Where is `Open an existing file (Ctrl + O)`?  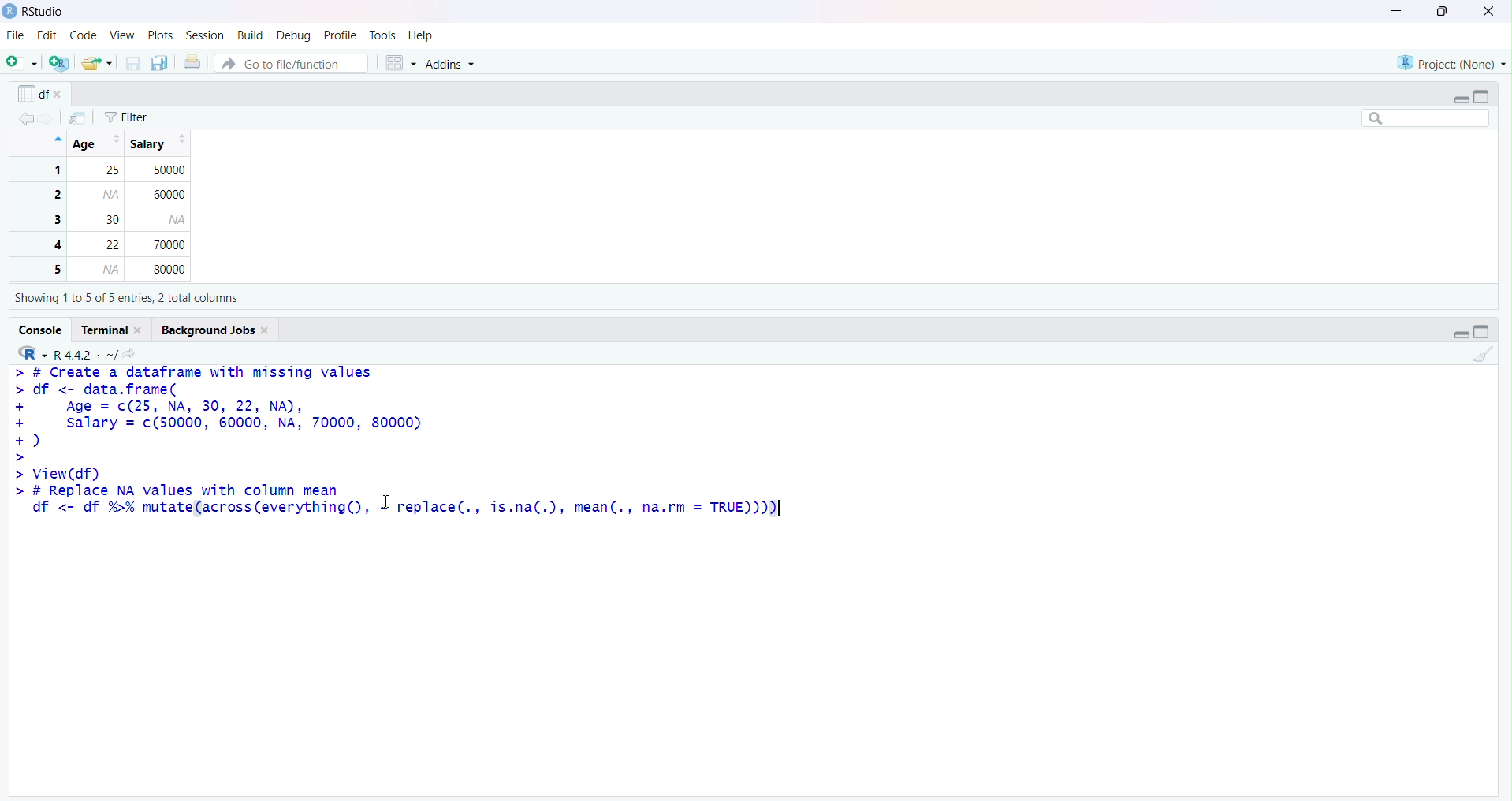
Open an existing file (Ctrl + O) is located at coordinates (97, 62).